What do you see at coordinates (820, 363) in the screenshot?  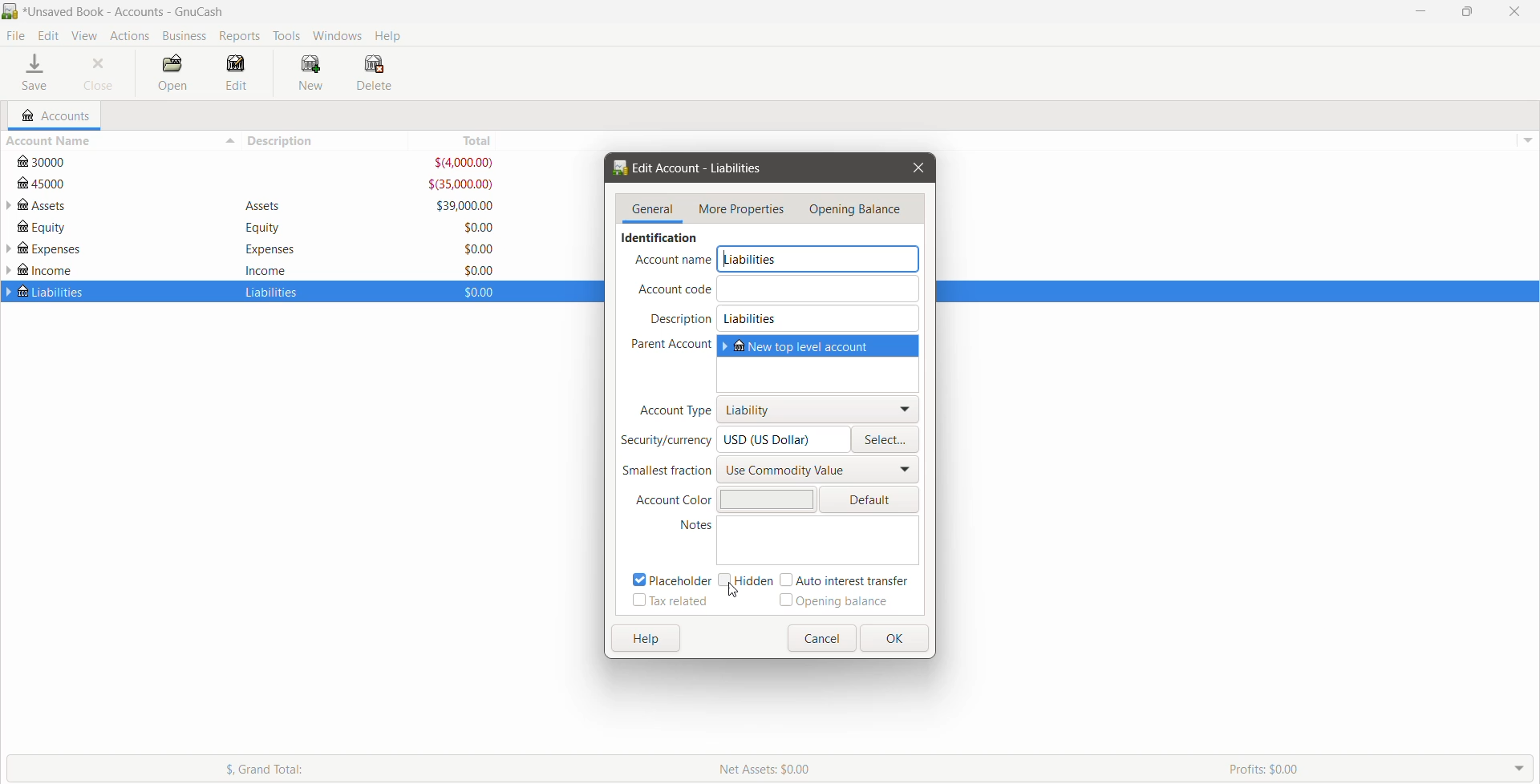 I see `Set Parent Account` at bounding box center [820, 363].